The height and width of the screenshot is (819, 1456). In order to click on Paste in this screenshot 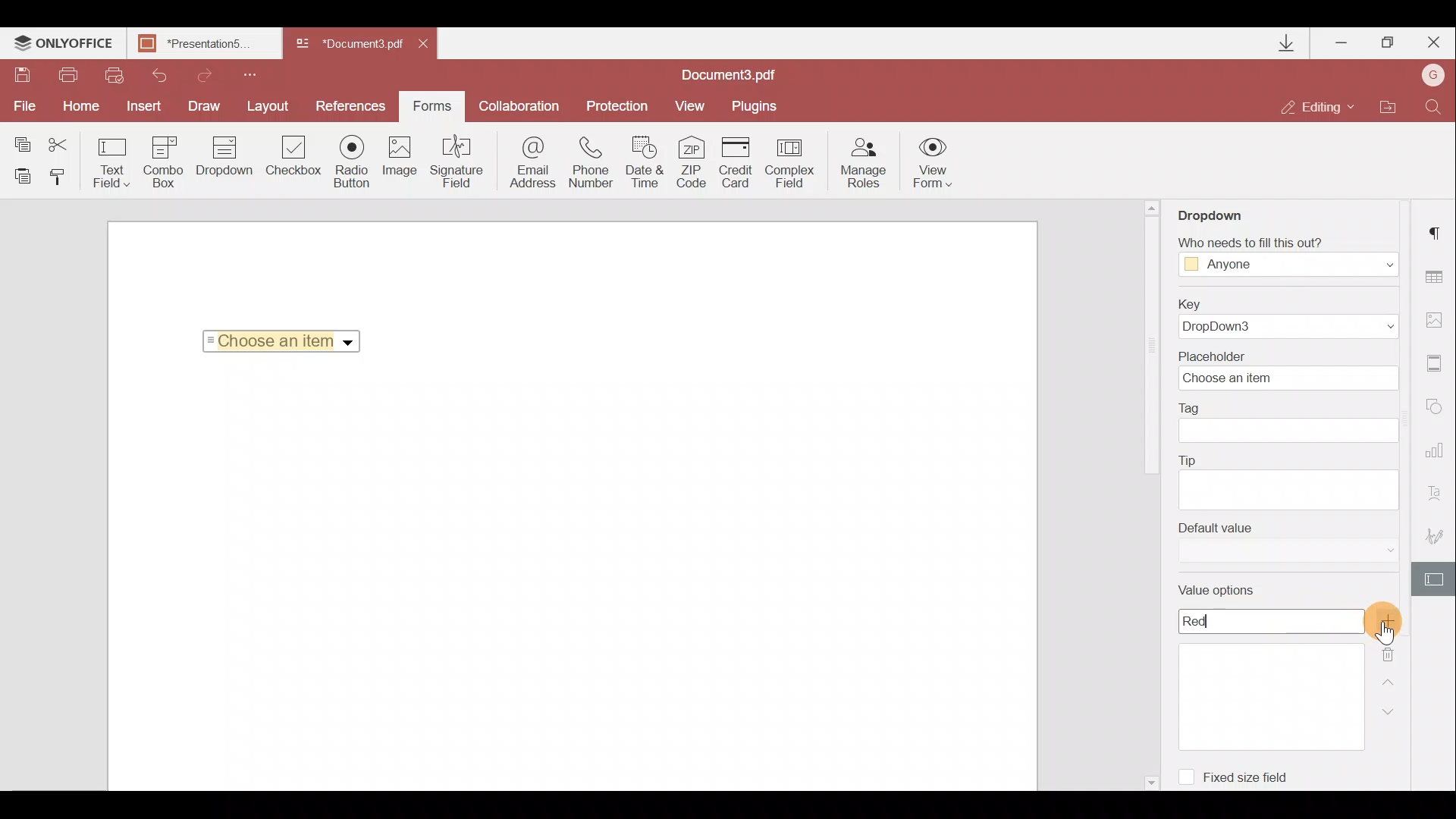, I will do `click(21, 178)`.